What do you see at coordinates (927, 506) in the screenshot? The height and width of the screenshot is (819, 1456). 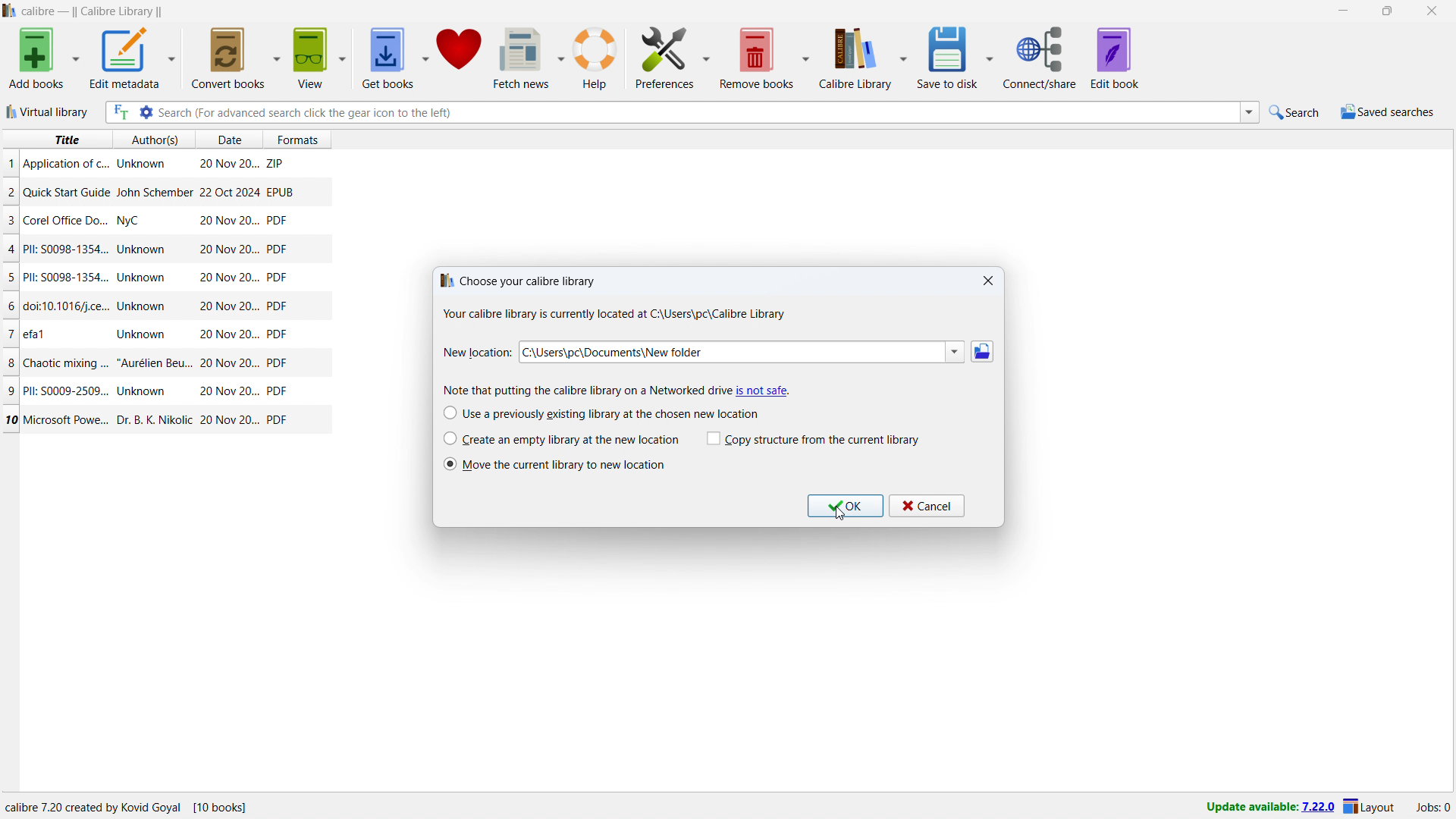 I see `cancel` at bounding box center [927, 506].